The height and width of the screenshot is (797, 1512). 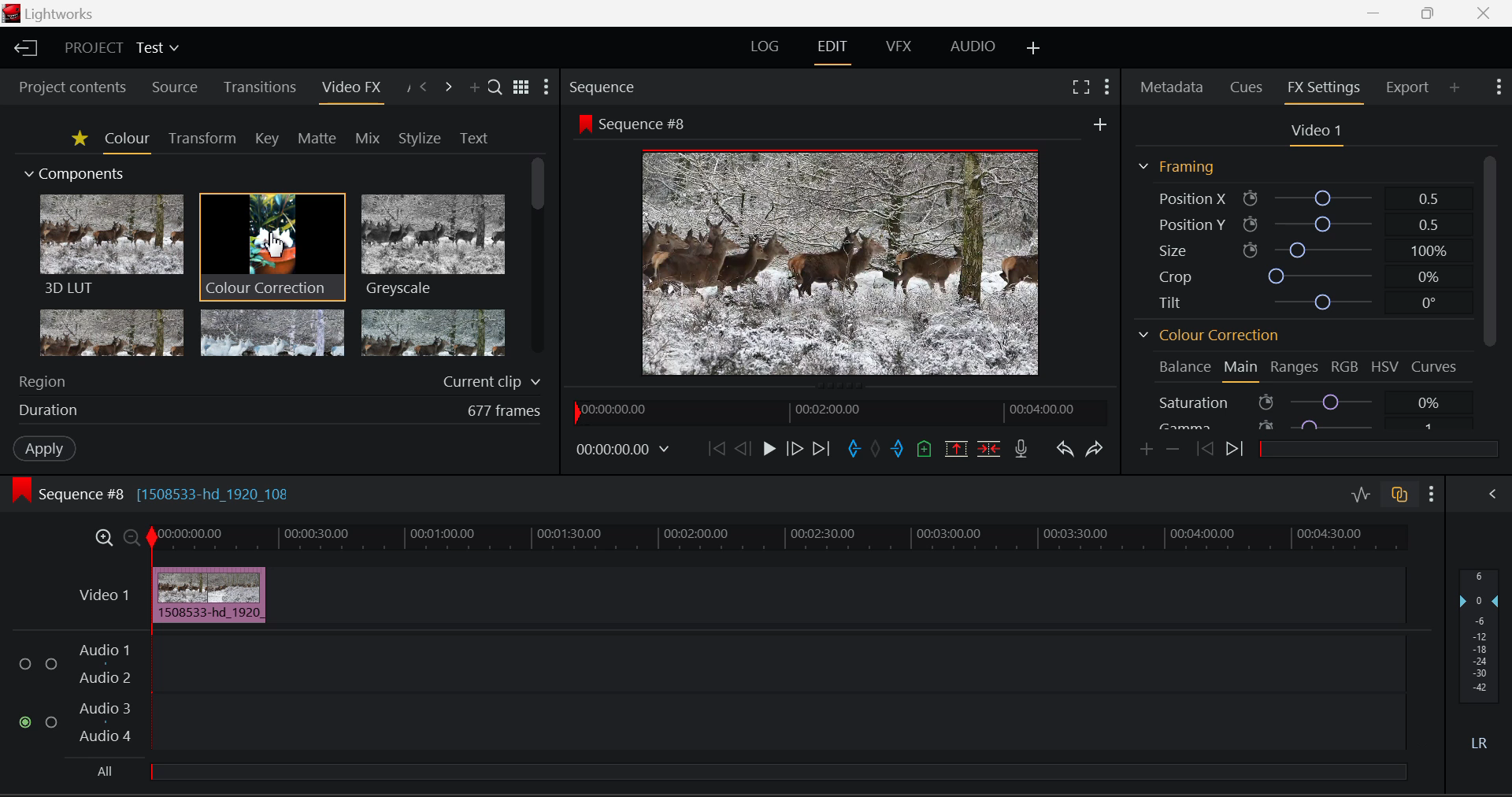 What do you see at coordinates (1022, 449) in the screenshot?
I see `Record Voiceover` at bounding box center [1022, 449].